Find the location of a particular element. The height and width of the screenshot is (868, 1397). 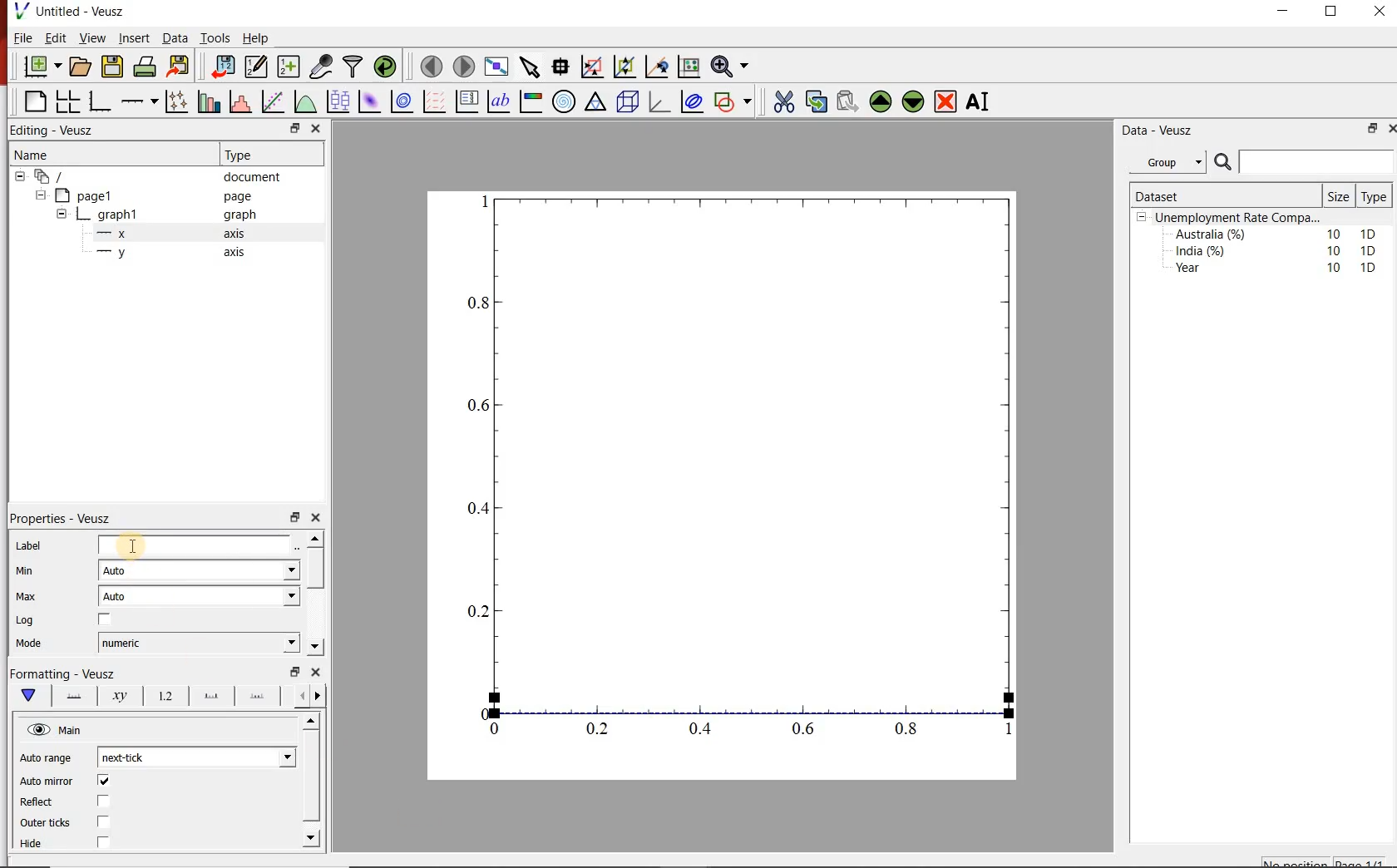

click or draw rectangle on the zoom graph axes is located at coordinates (593, 67).